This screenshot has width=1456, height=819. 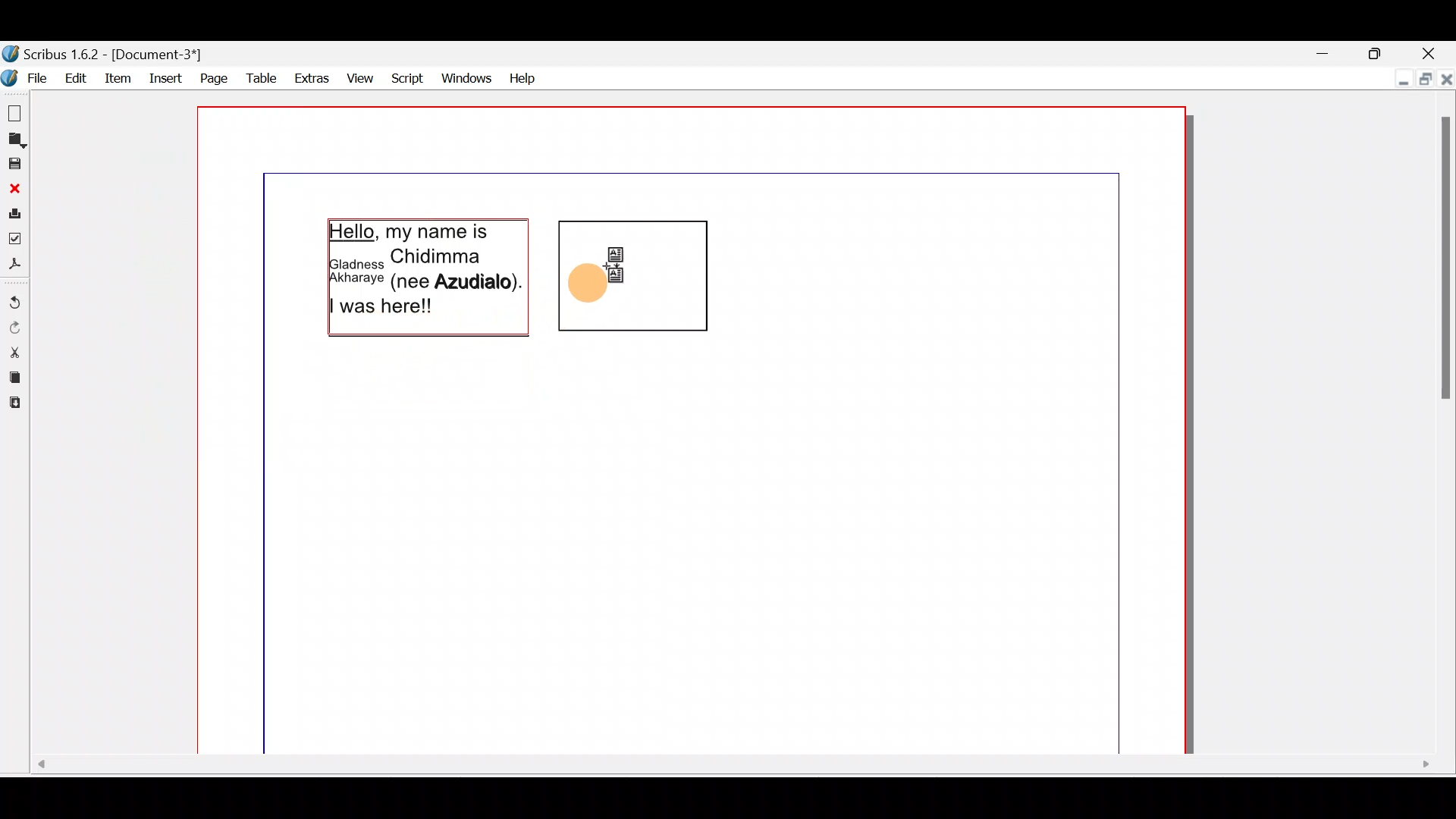 What do you see at coordinates (119, 78) in the screenshot?
I see `item` at bounding box center [119, 78].